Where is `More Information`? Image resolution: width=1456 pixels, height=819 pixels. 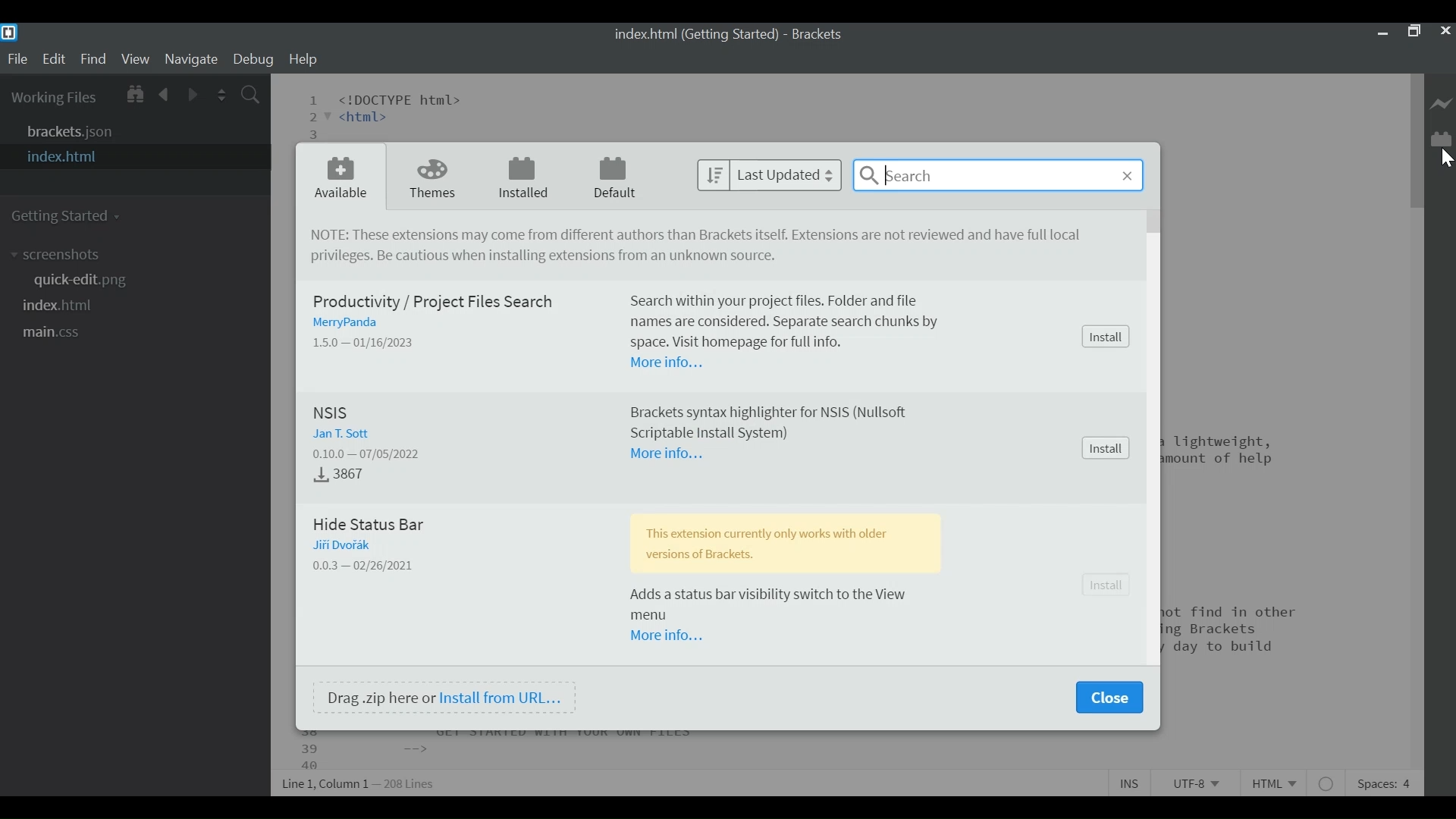 More Information is located at coordinates (667, 453).